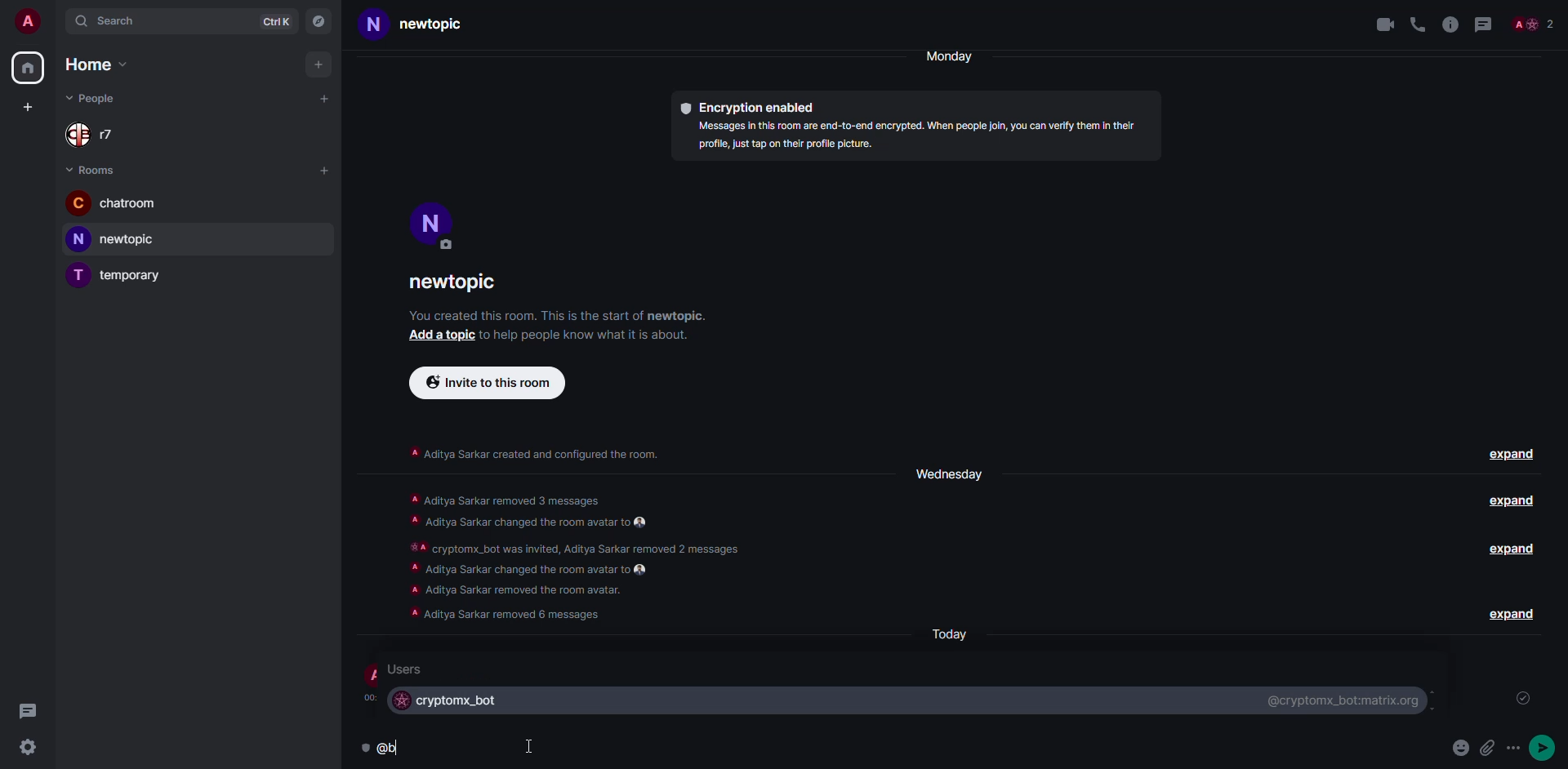 The image size is (1568, 769). What do you see at coordinates (1509, 613) in the screenshot?
I see `expand` at bounding box center [1509, 613].